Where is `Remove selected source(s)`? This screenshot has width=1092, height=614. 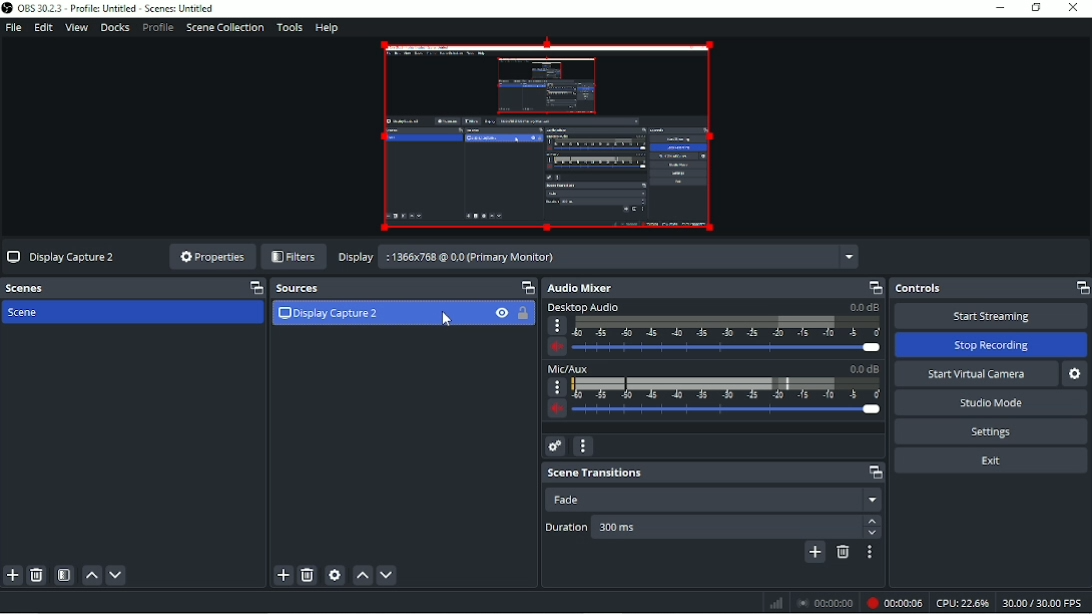
Remove selected source(s) is located at coordinates (307, 576).